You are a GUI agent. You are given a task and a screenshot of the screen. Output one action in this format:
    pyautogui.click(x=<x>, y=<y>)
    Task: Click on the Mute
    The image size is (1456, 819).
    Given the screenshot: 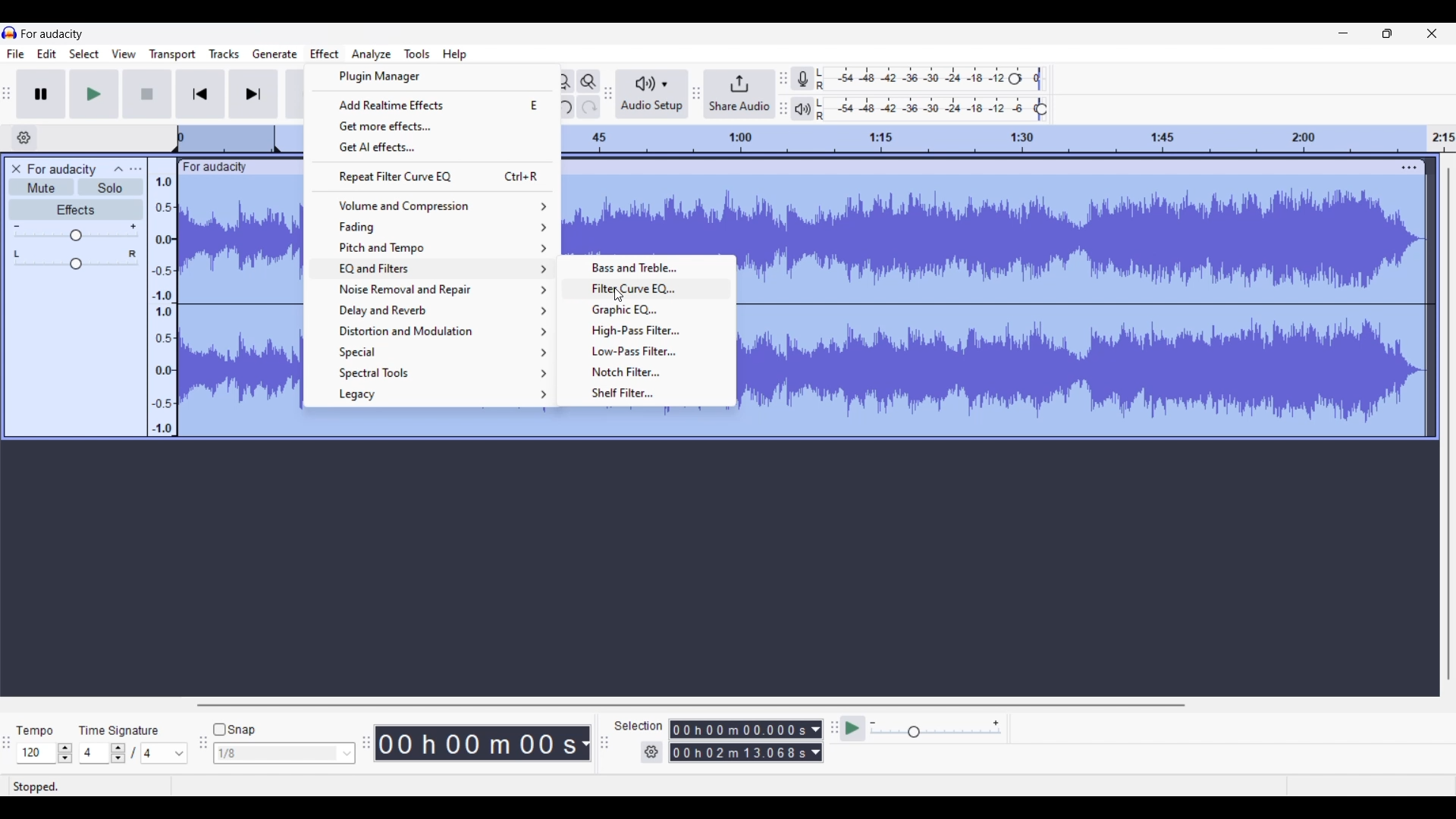 What is the action you would take?
    pyautogui.click(x=41, y=187)
    